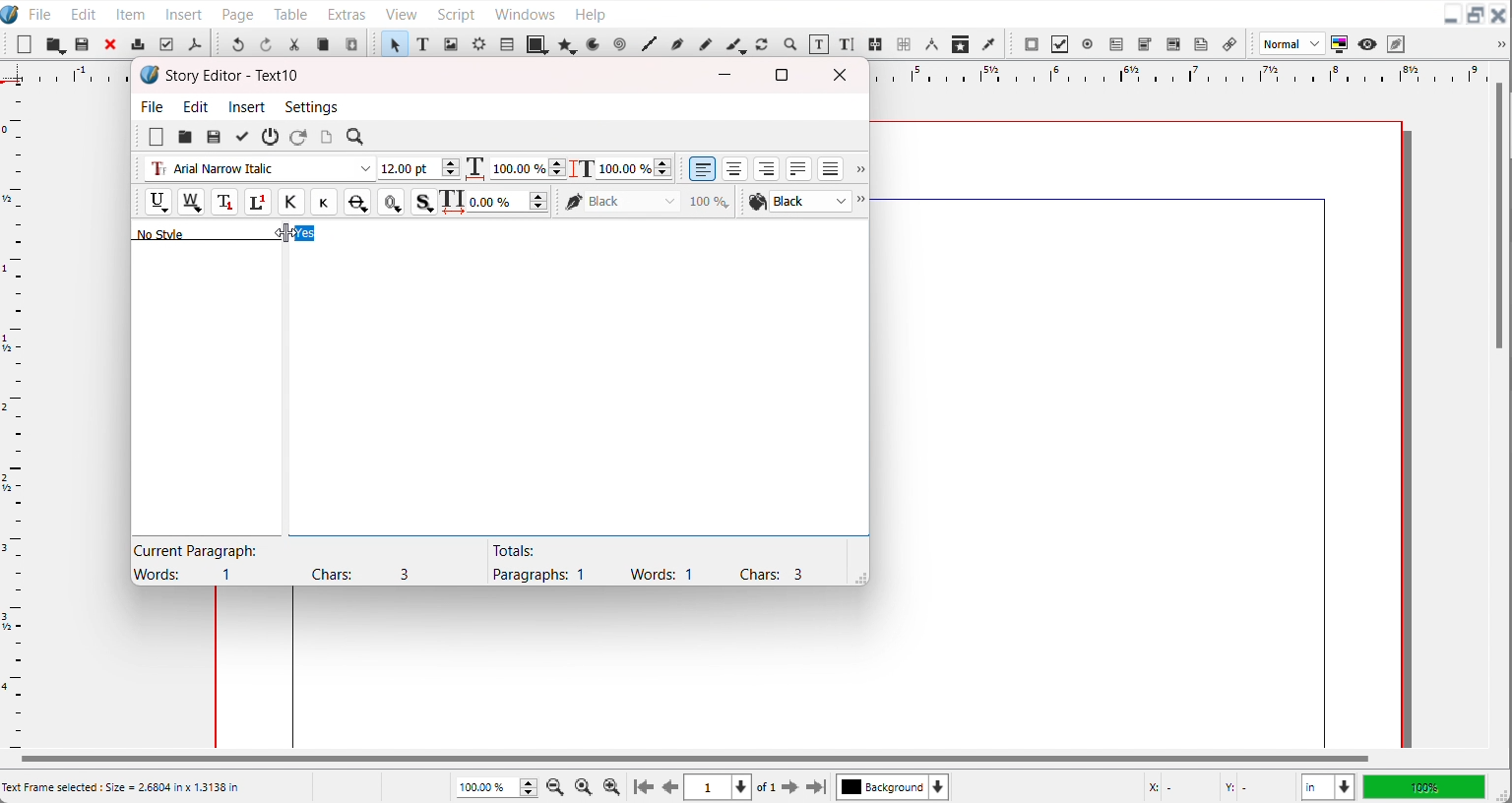 Image resolution: width=1512 pixels, height=803 pixels. I want to click on Text Height Adjuster, so click(634, 168).